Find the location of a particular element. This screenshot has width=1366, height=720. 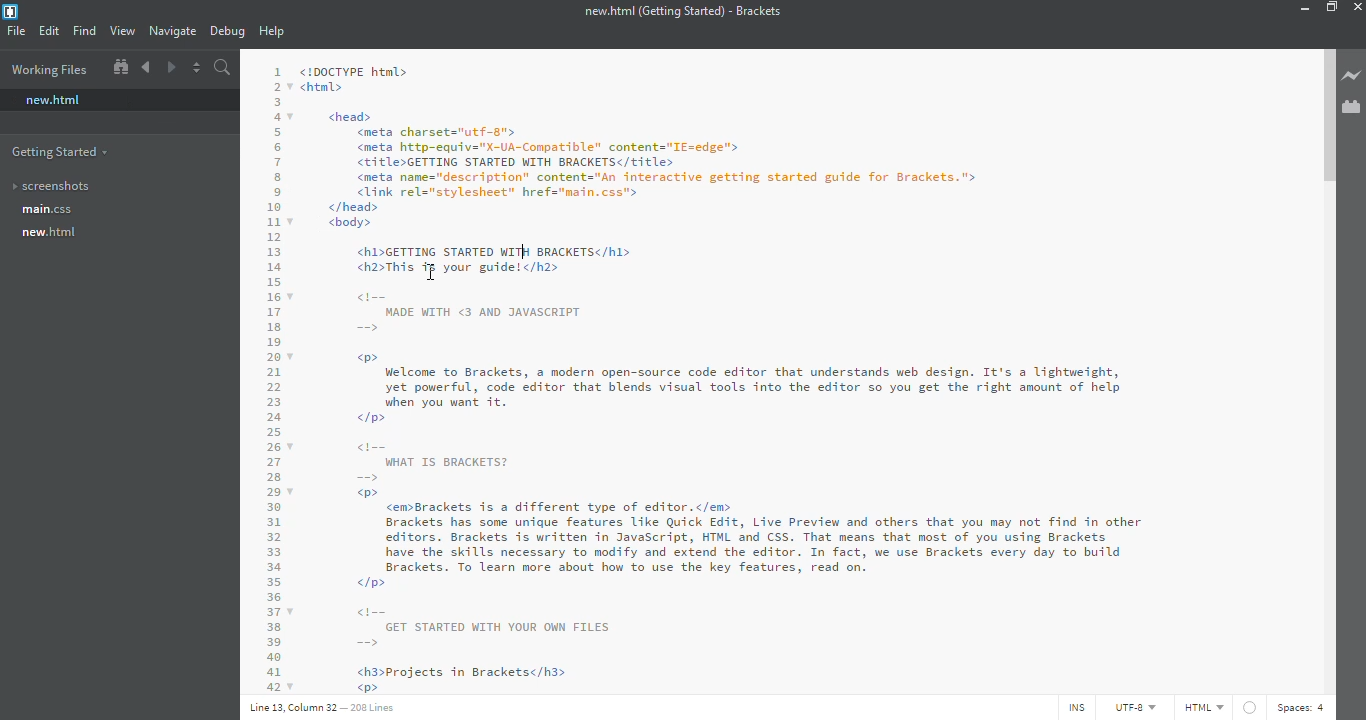

find is located at coordinates (86, 31).